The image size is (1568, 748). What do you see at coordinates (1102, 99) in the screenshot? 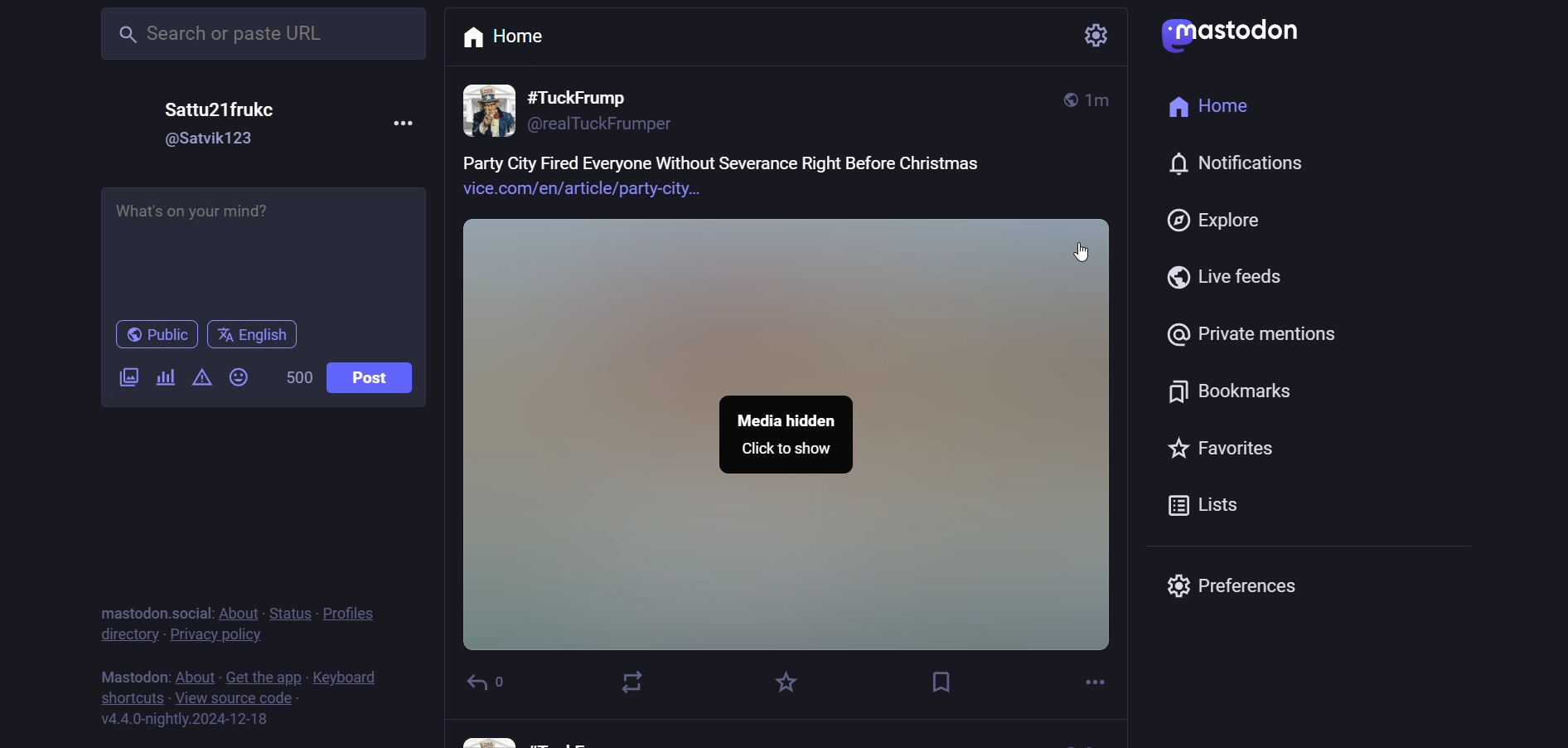
I see `posted time` at bounding box center [1102, 99].